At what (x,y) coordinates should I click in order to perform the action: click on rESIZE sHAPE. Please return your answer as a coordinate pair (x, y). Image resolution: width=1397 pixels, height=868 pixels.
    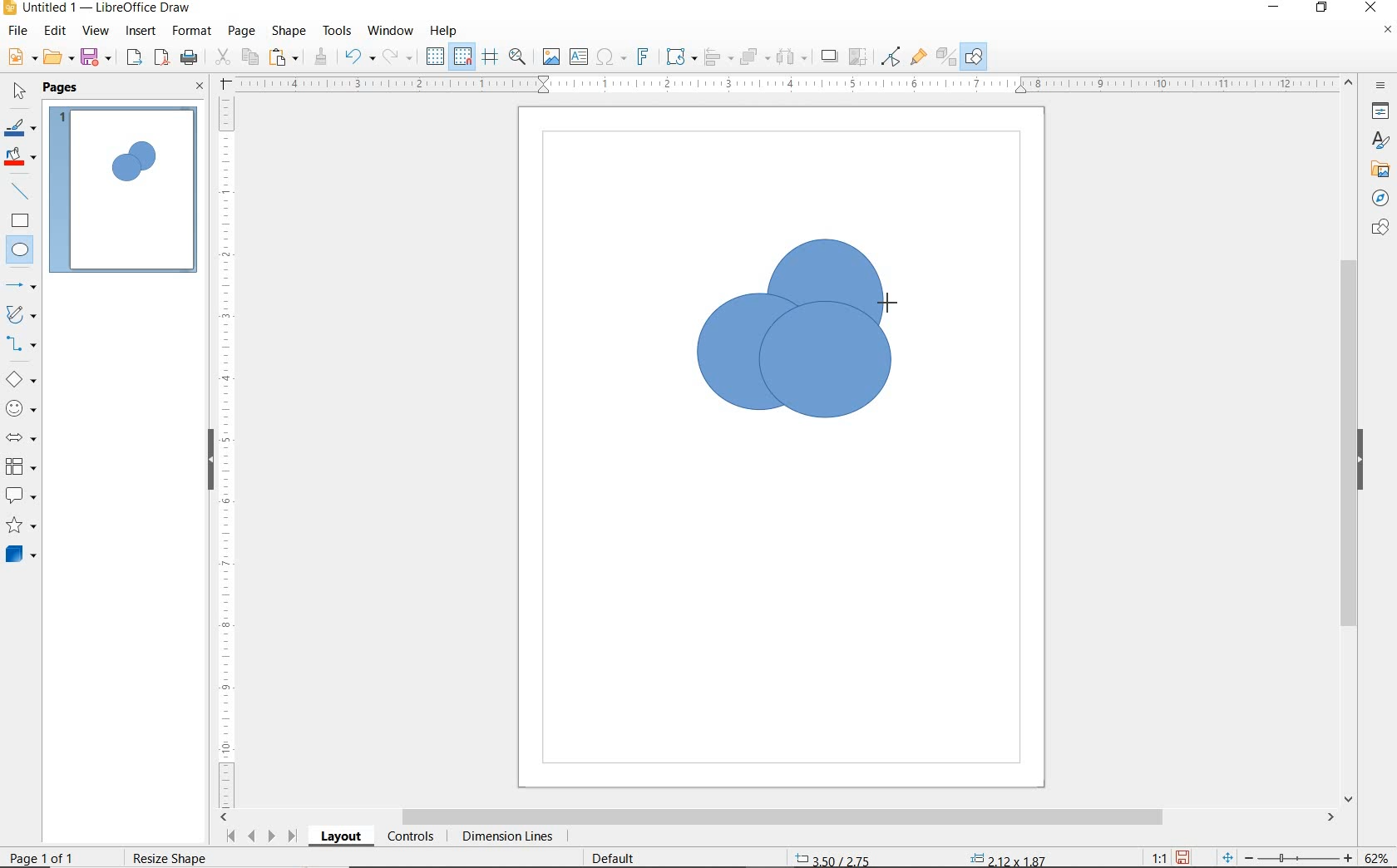
    Looking at the image, I should click on (168, 857).